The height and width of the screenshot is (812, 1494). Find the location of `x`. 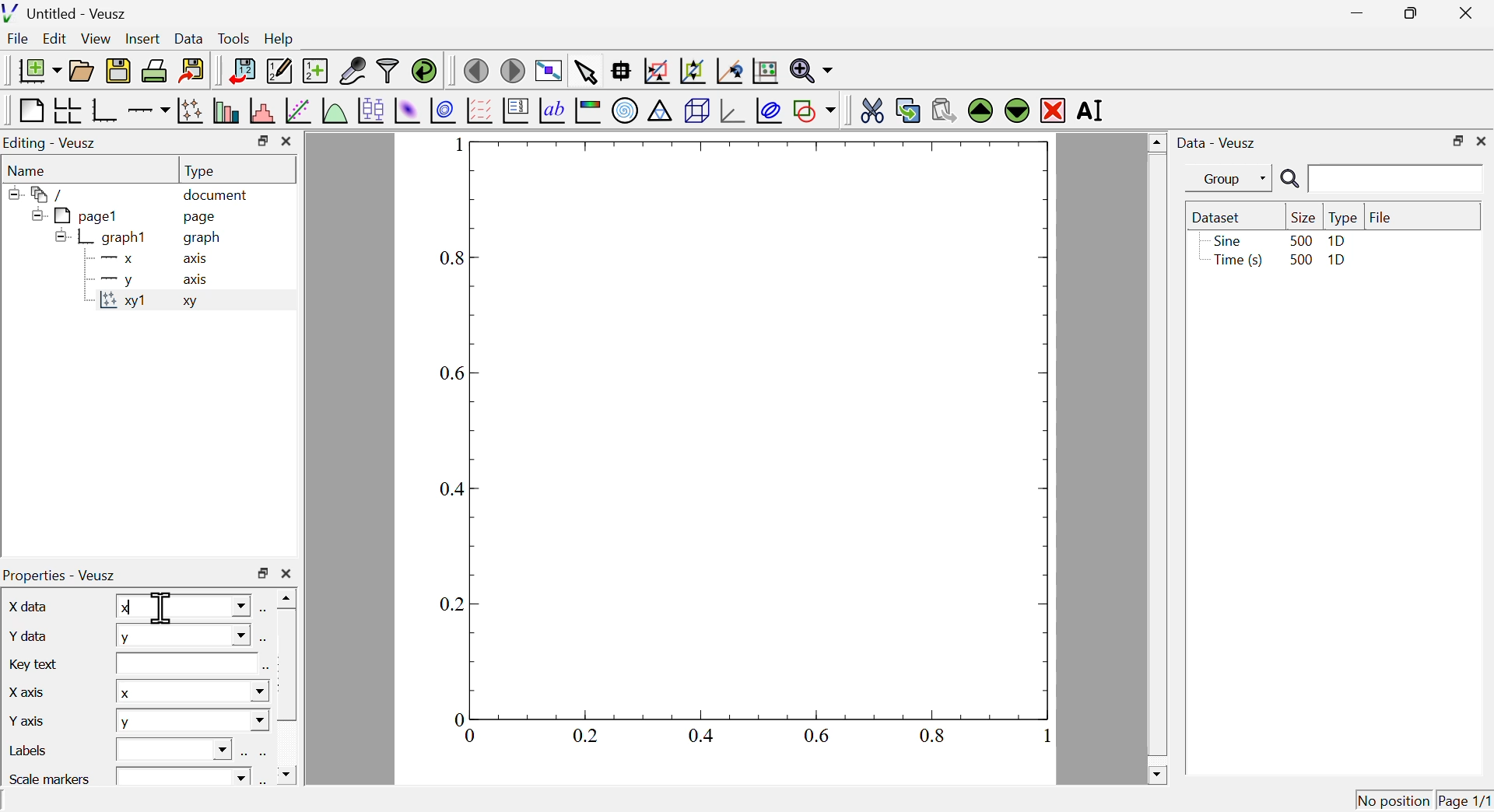

x is located at coordinates (191, 692).